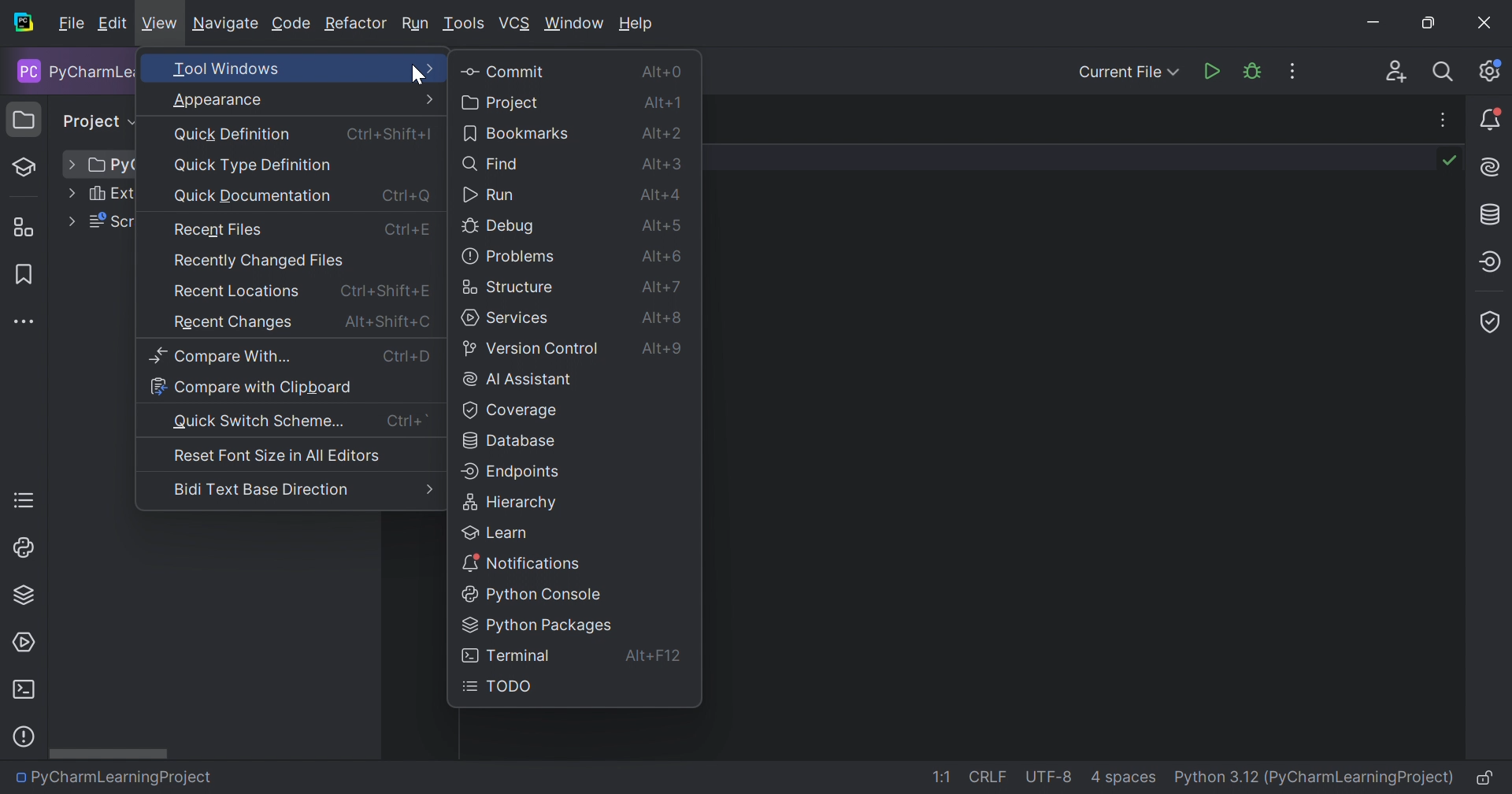 This screenshot has height=794, width=1512. What do you see at coordinates (1493, 260) in the screenshot?
I see `Endpoints` at bounding box center [1493, 260].